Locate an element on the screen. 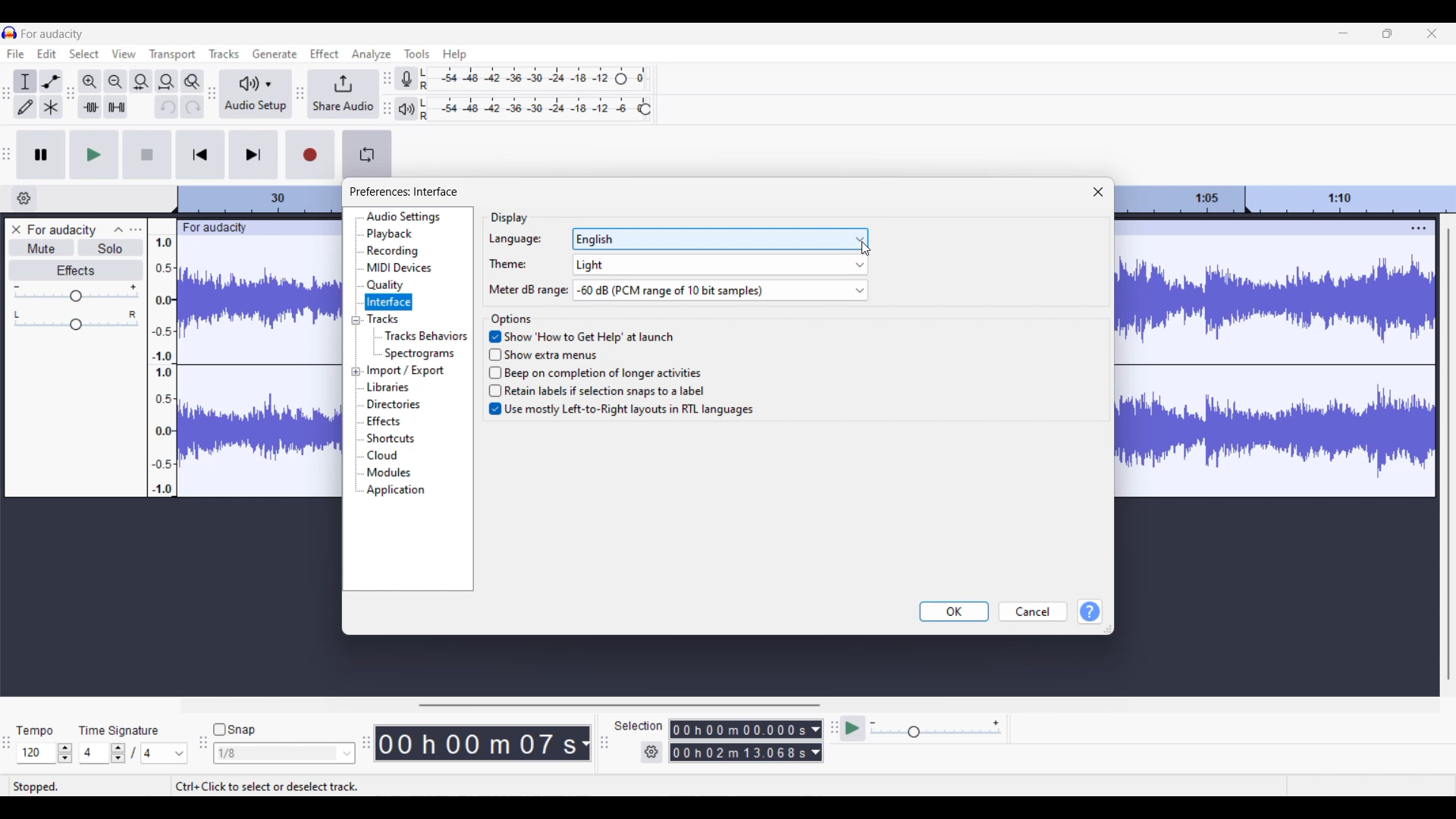 This screenshot has height=819, width=1456. Cloud is located at coordinates (383, 455).